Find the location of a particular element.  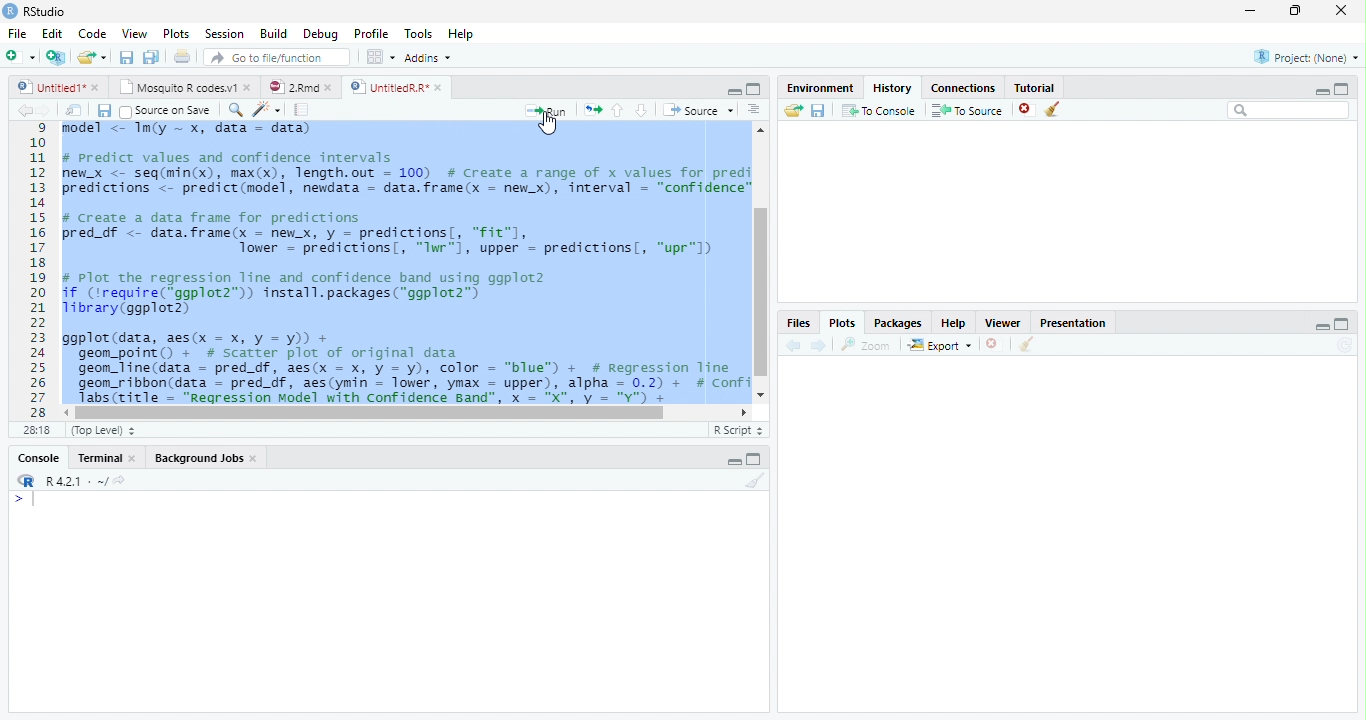

Print is located at coordinates (183, 58).